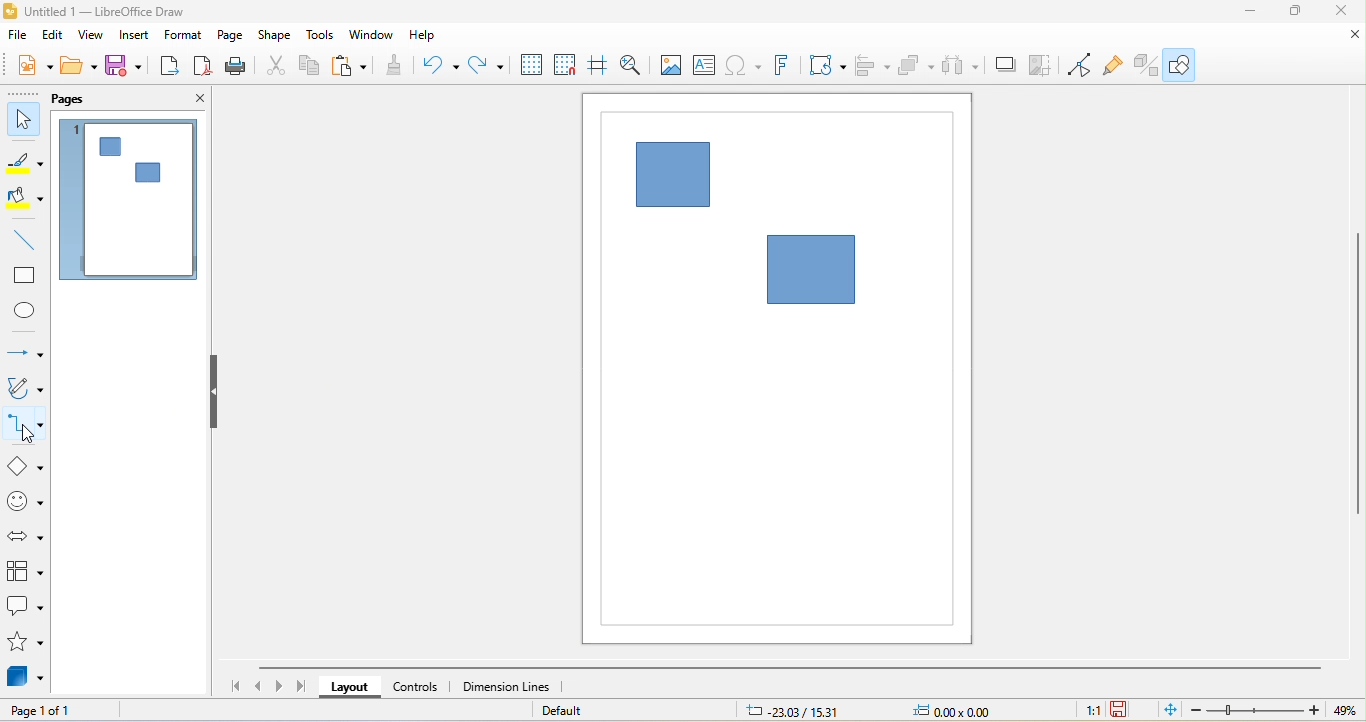  I want to click on copy, so click(313, 66).